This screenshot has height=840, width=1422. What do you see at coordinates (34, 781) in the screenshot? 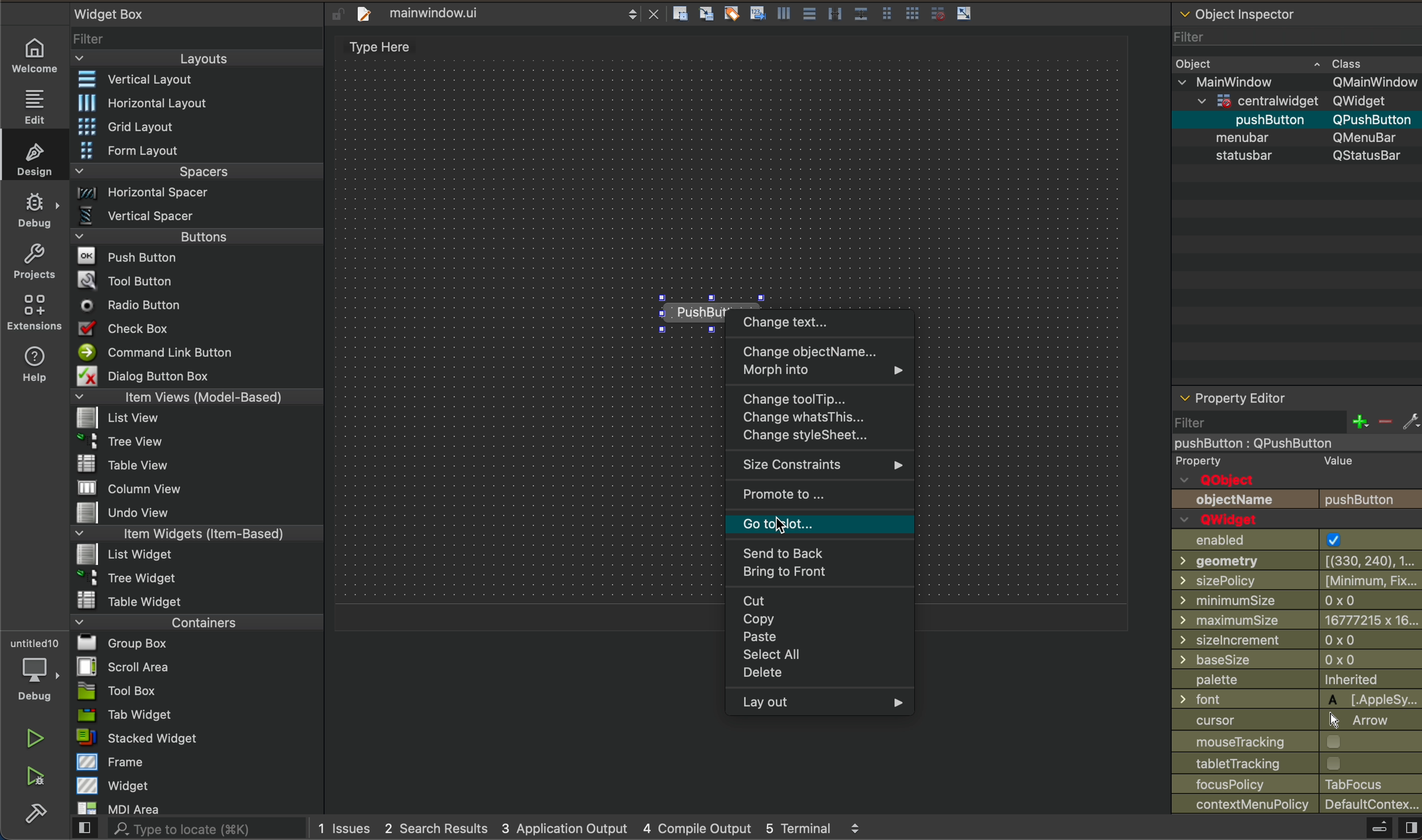
I see `run and debug` at bounding box center [34, 781].